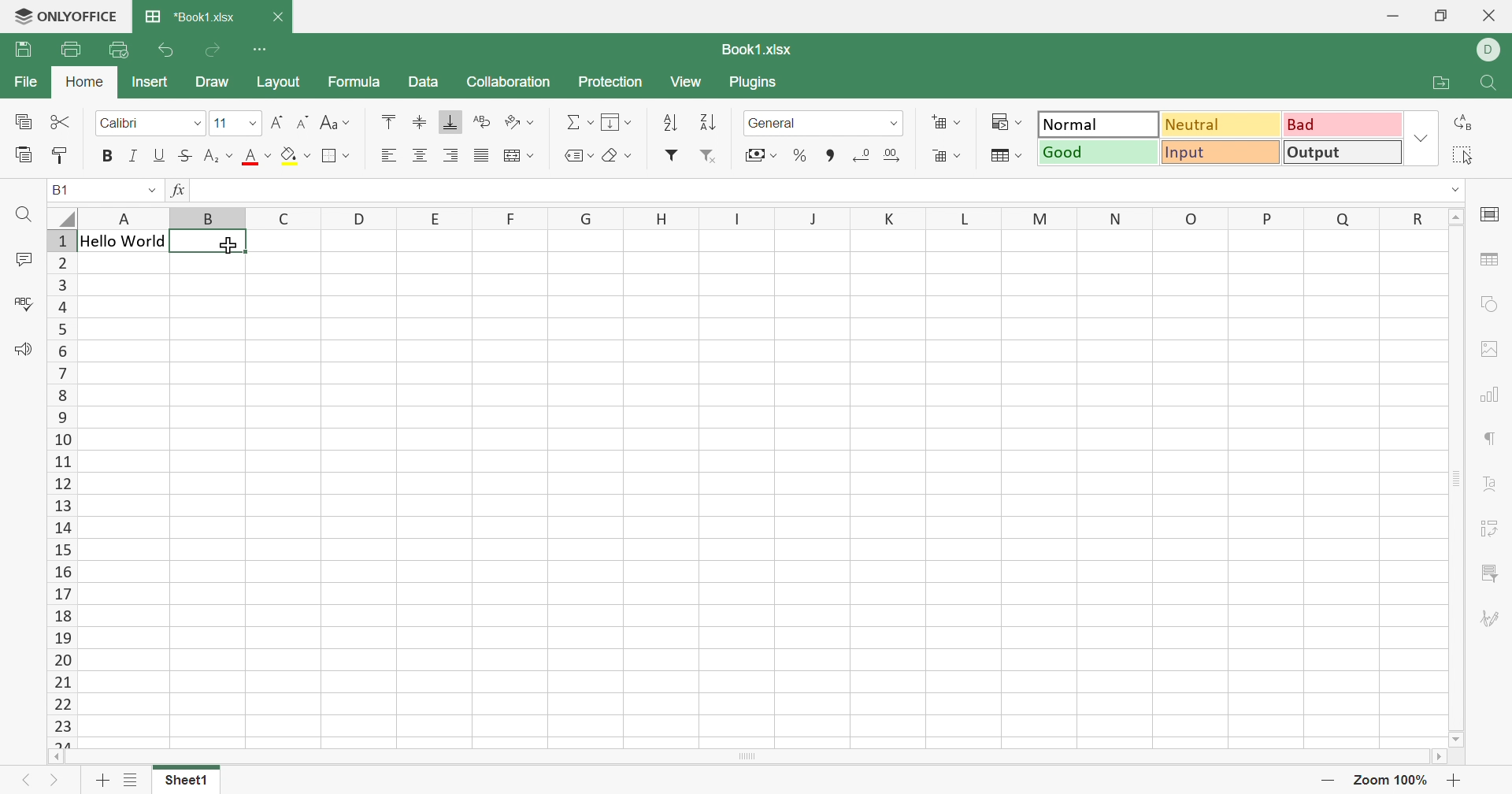 The image size is (1512, 794). Describe the element at coordinates (232, 189) in the screenshot. I see `Hello World` at that location.